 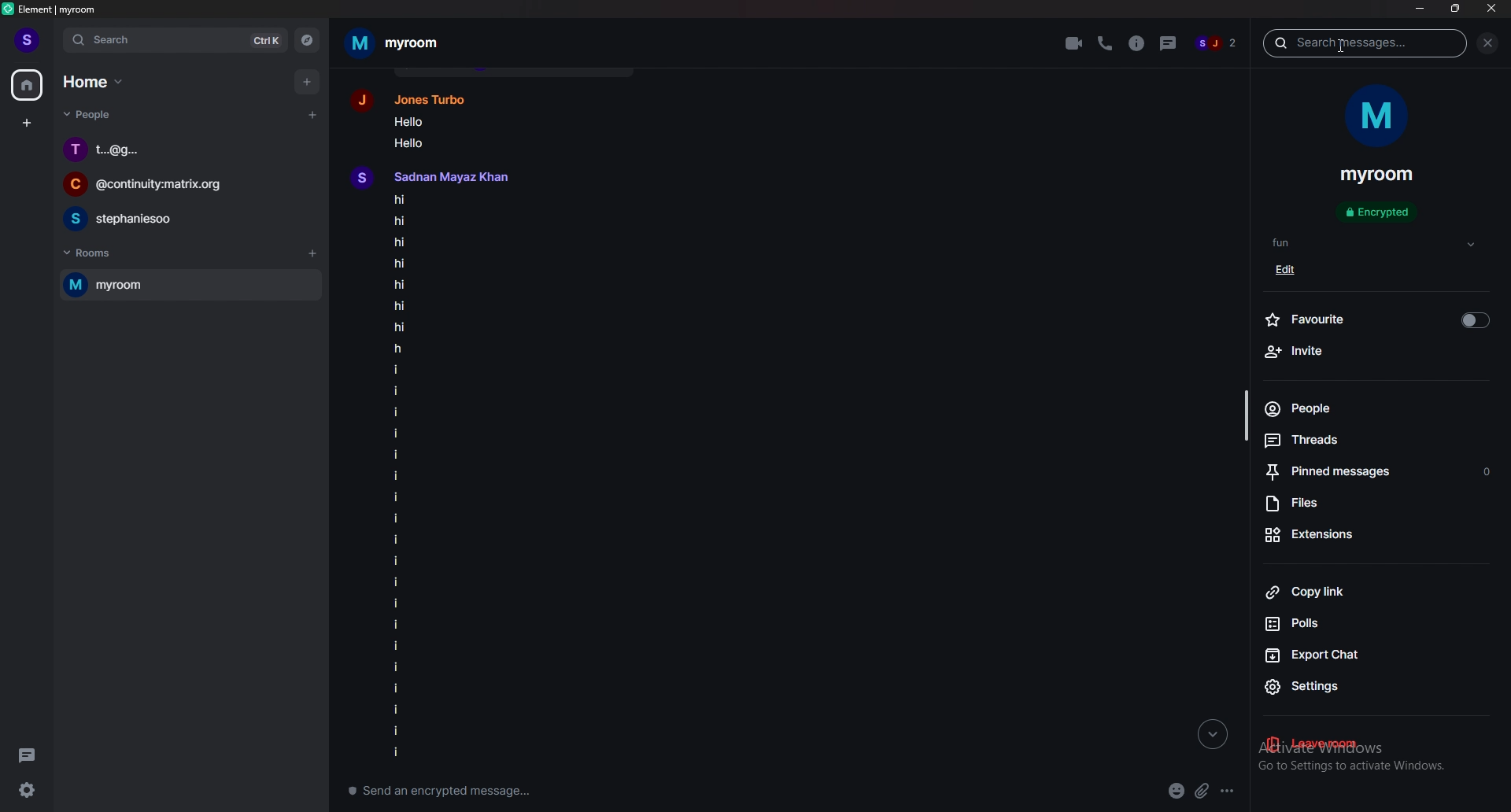 What do you see at coordinates (397, 42) in the screenshot?
I see `room name` at bounding box center [397, 42].